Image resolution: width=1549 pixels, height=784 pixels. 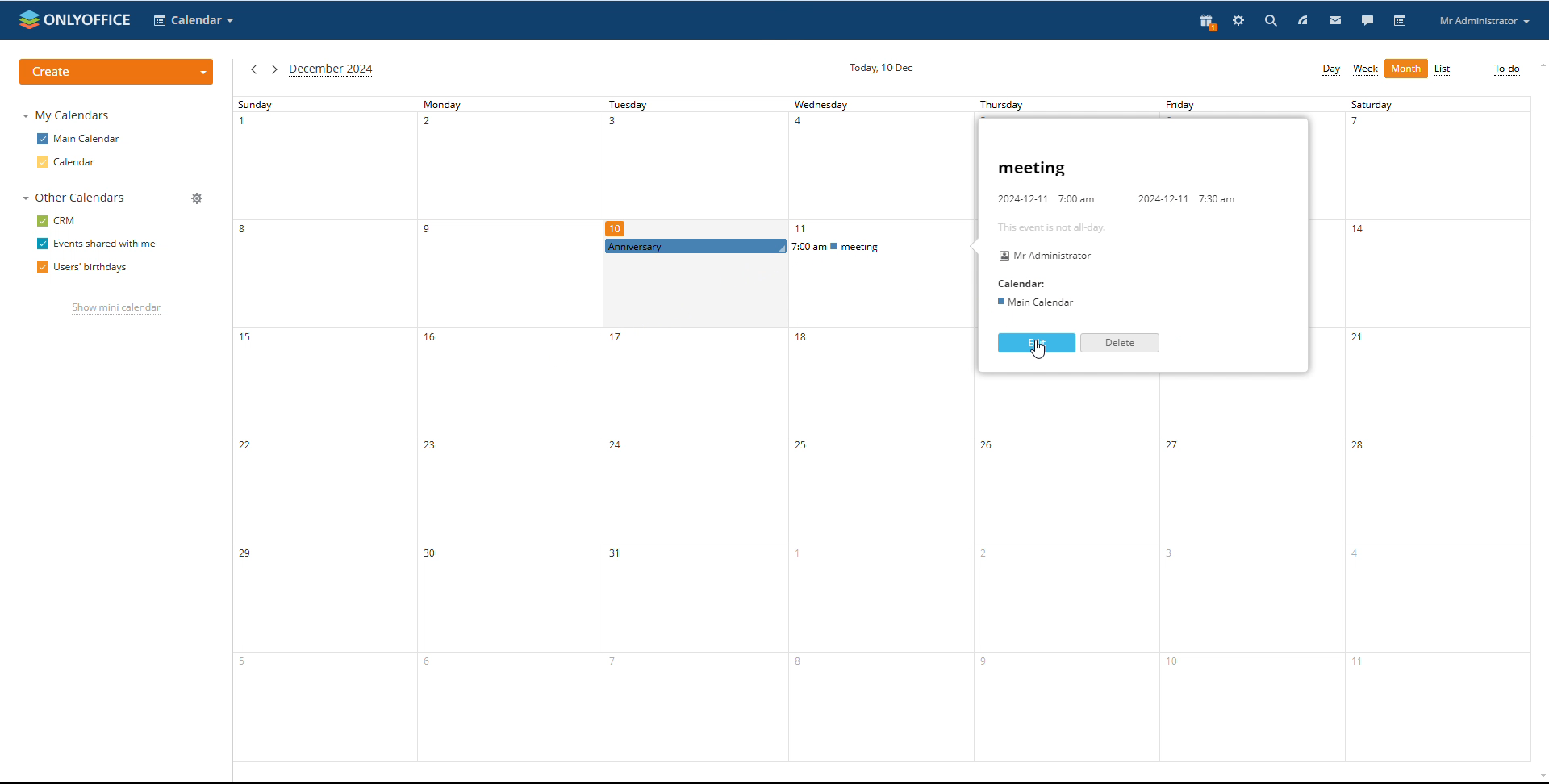 I want to click on calendar, so click(x=1401, y=20).